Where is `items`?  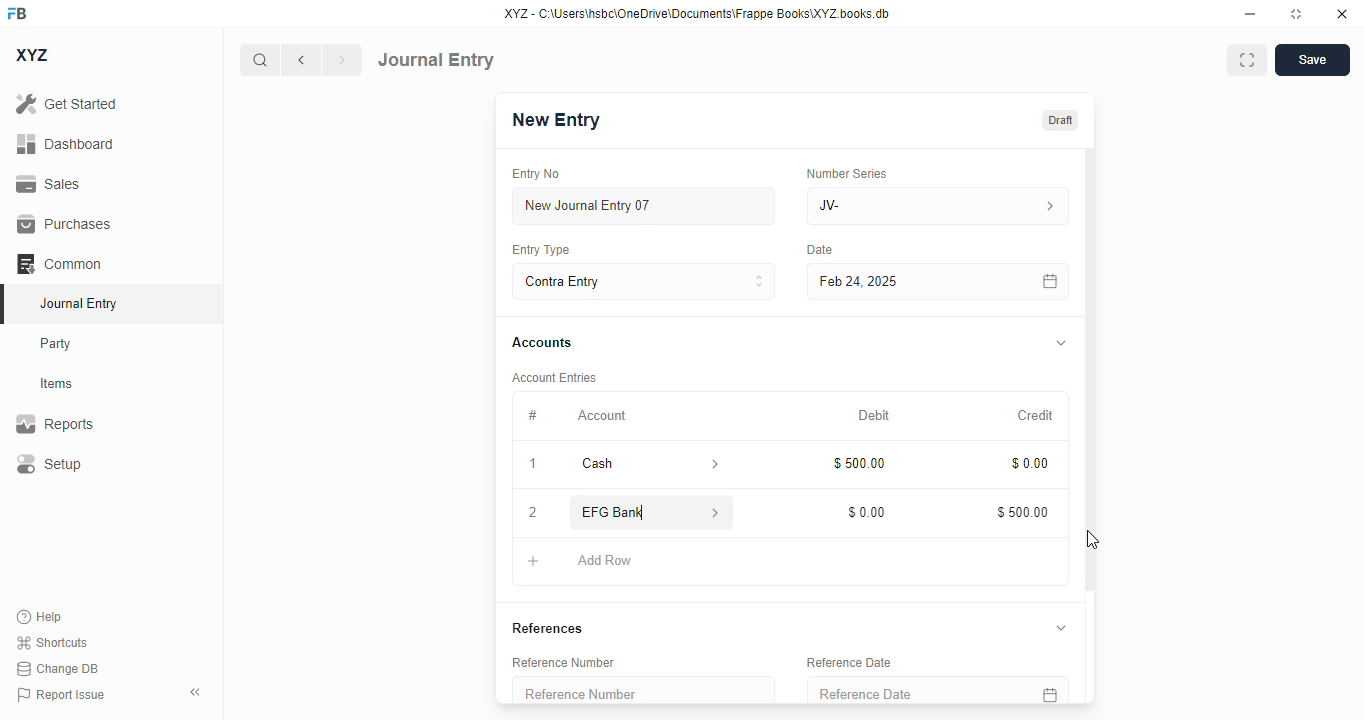
items is located at coordinates (57, 384).